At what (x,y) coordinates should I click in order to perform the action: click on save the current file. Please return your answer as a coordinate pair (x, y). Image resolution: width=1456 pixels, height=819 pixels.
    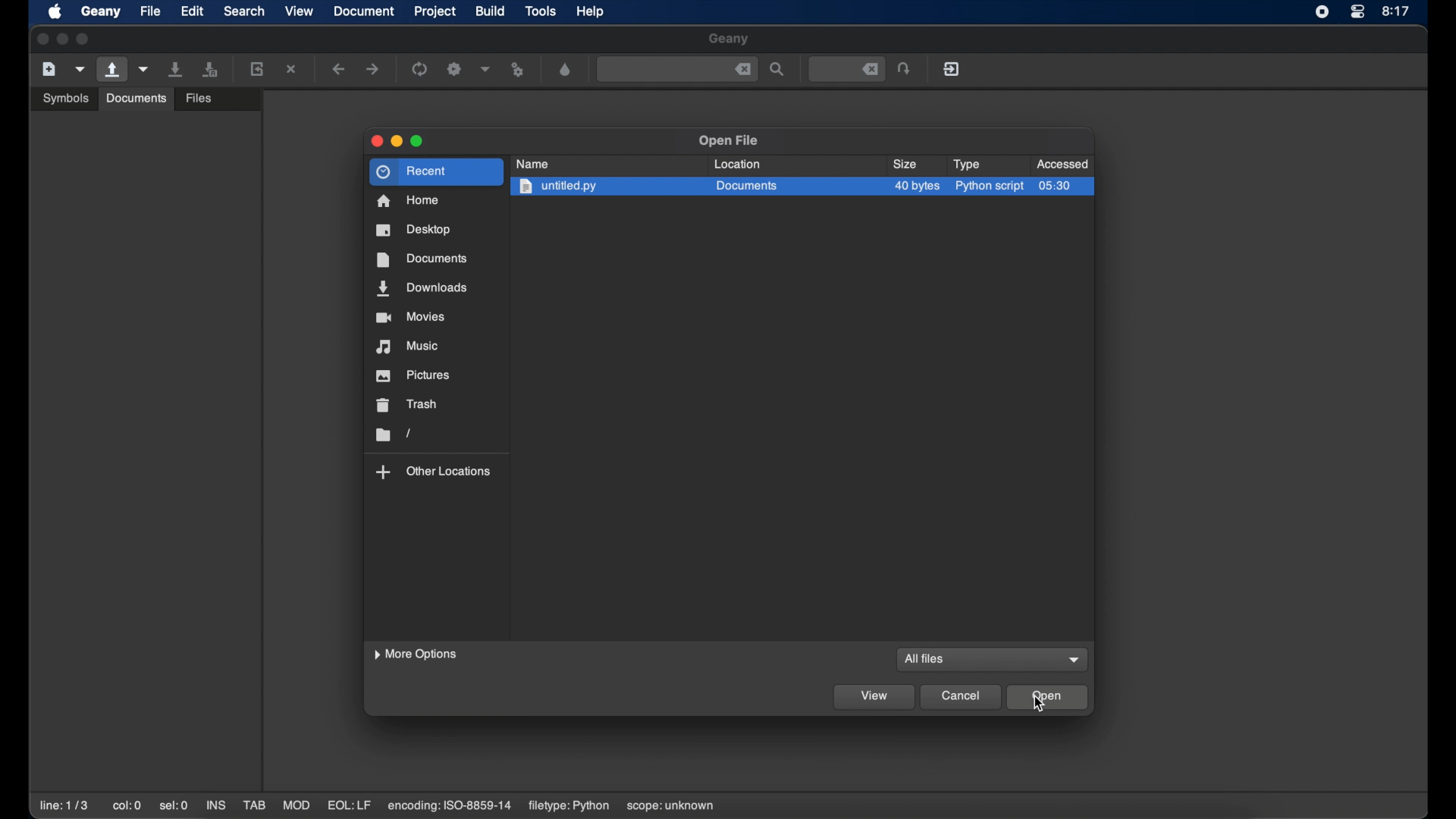
    Looking at the image, I should click on (176, 69).